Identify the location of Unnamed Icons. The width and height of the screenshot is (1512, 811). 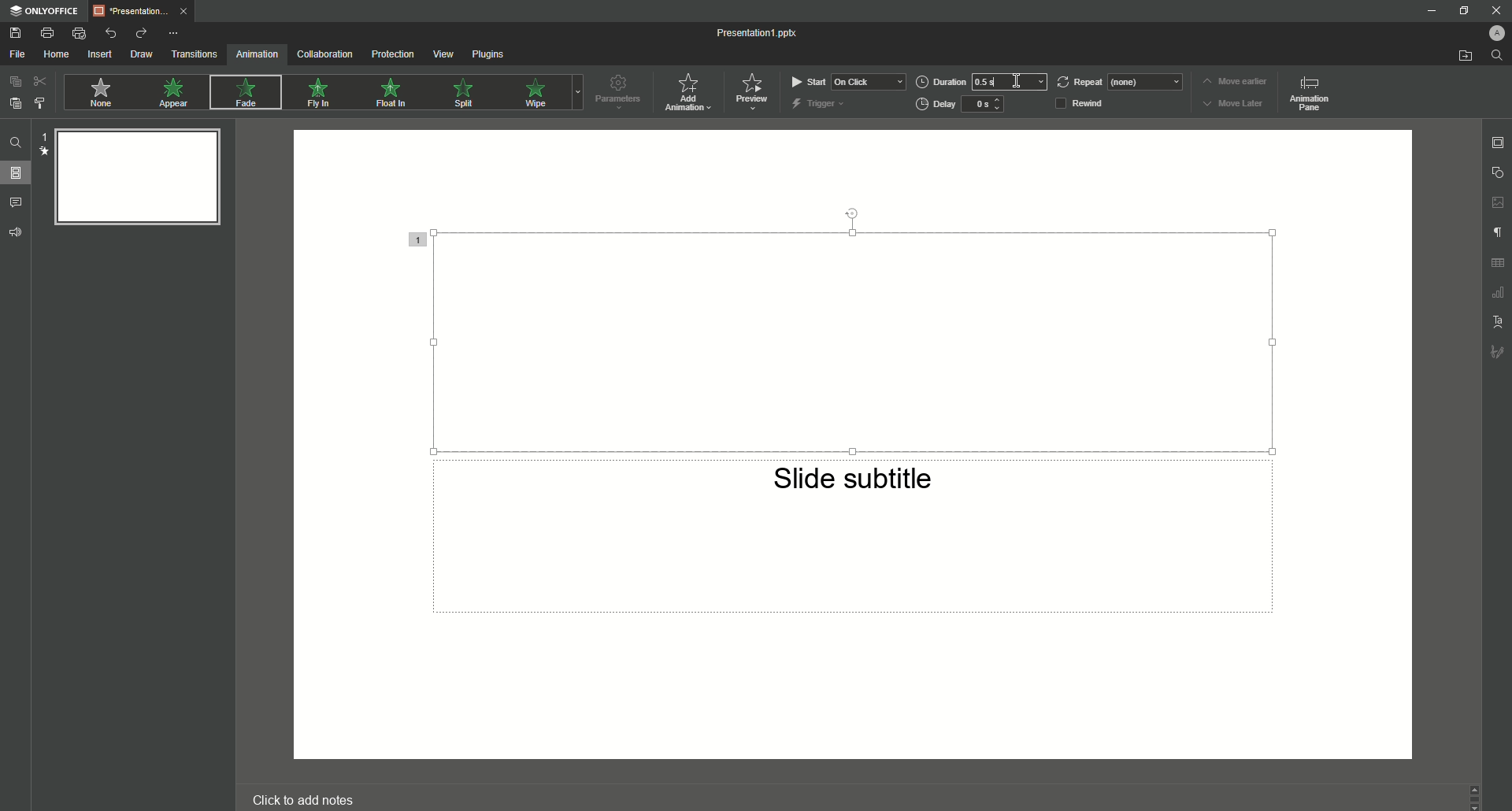
(1498, 263).